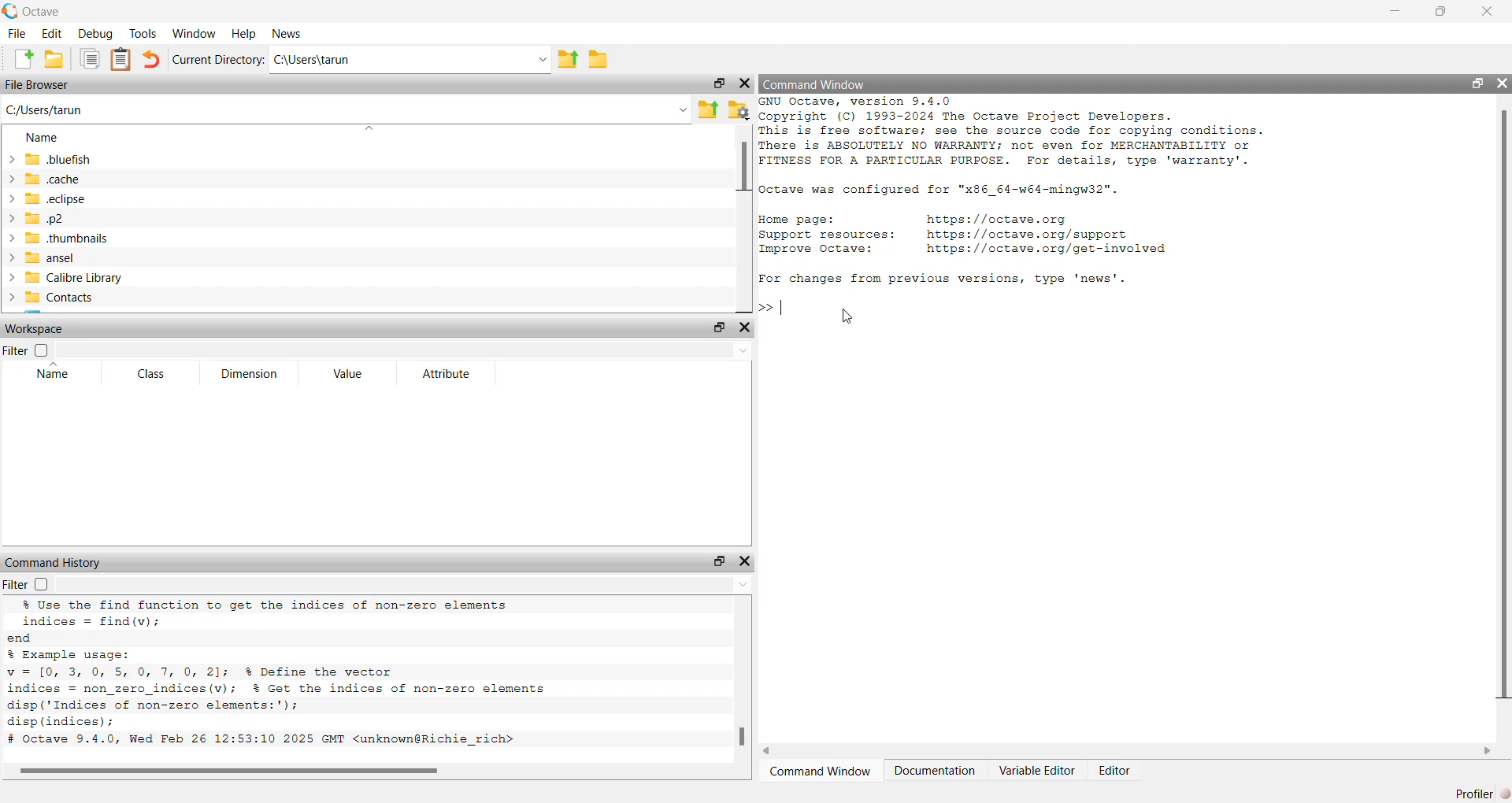 The height and width of the screenshot is (803, 1512). What do you see at coordinates (18, 35) in the screenshot?
I see `File` at bounding box center [18, 35].